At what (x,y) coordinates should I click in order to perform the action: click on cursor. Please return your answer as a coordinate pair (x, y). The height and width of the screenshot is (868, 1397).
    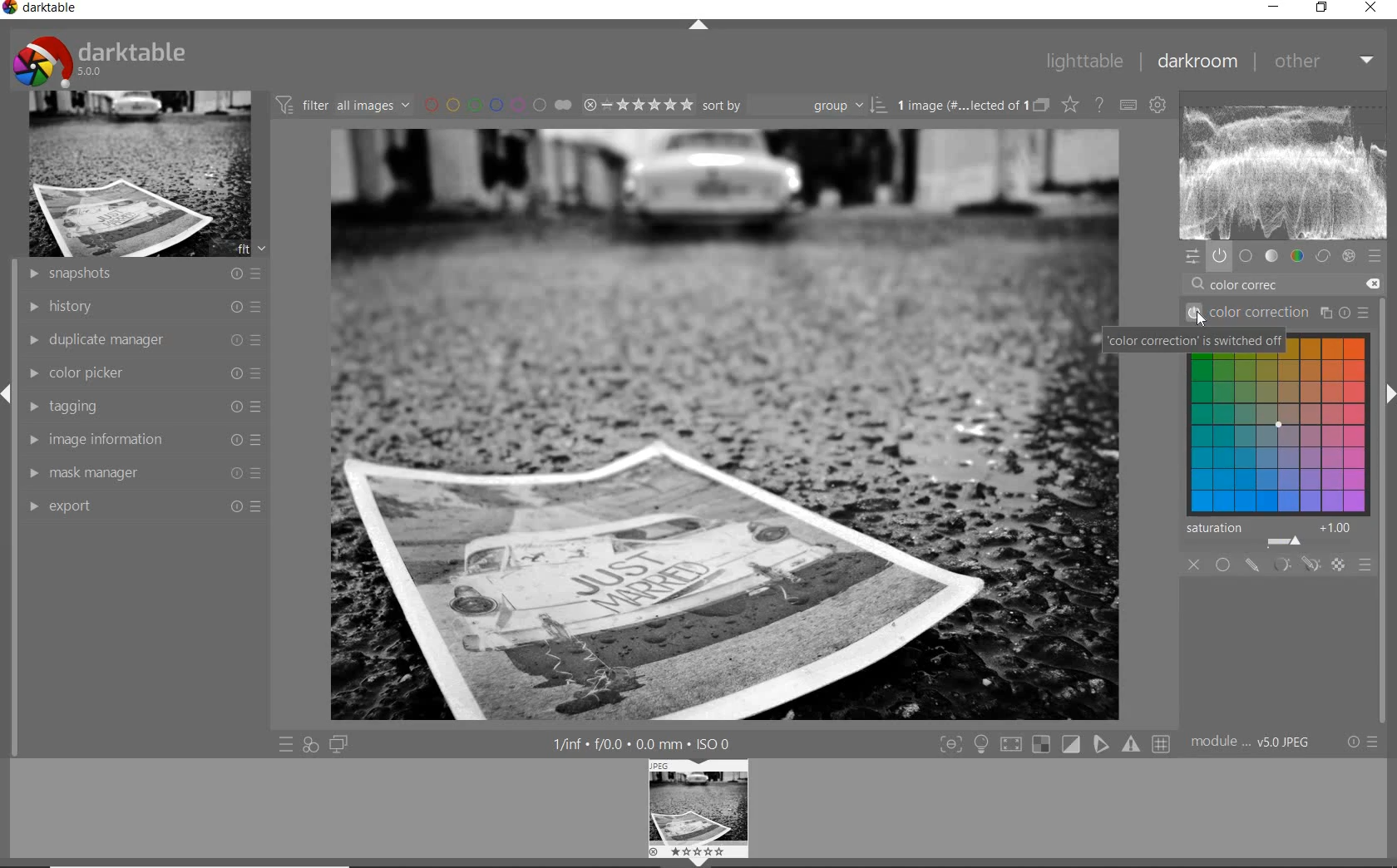
    Looking at the image, I should click on (1197, 320).